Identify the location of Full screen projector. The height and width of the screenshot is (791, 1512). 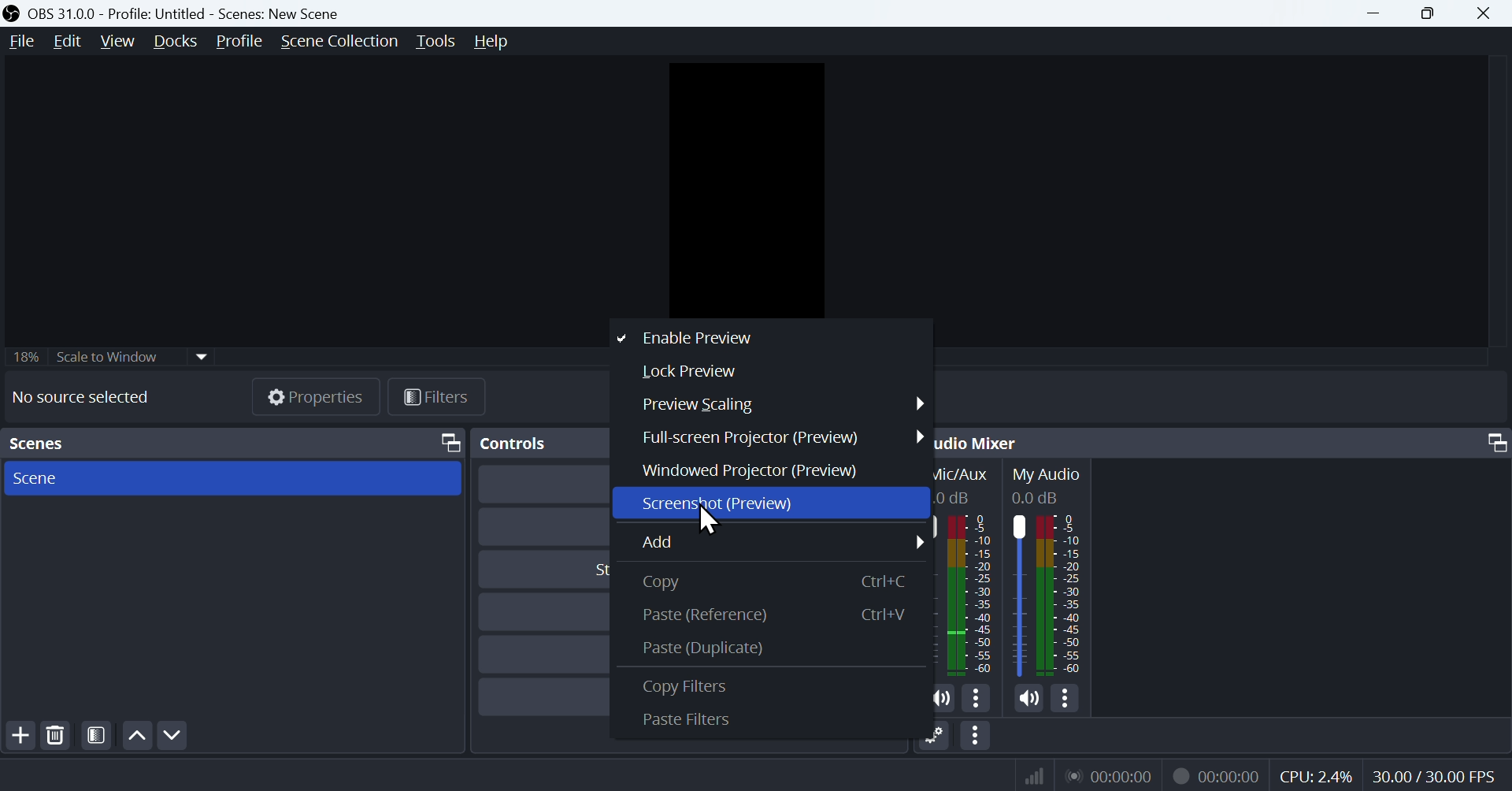
(768, 439).